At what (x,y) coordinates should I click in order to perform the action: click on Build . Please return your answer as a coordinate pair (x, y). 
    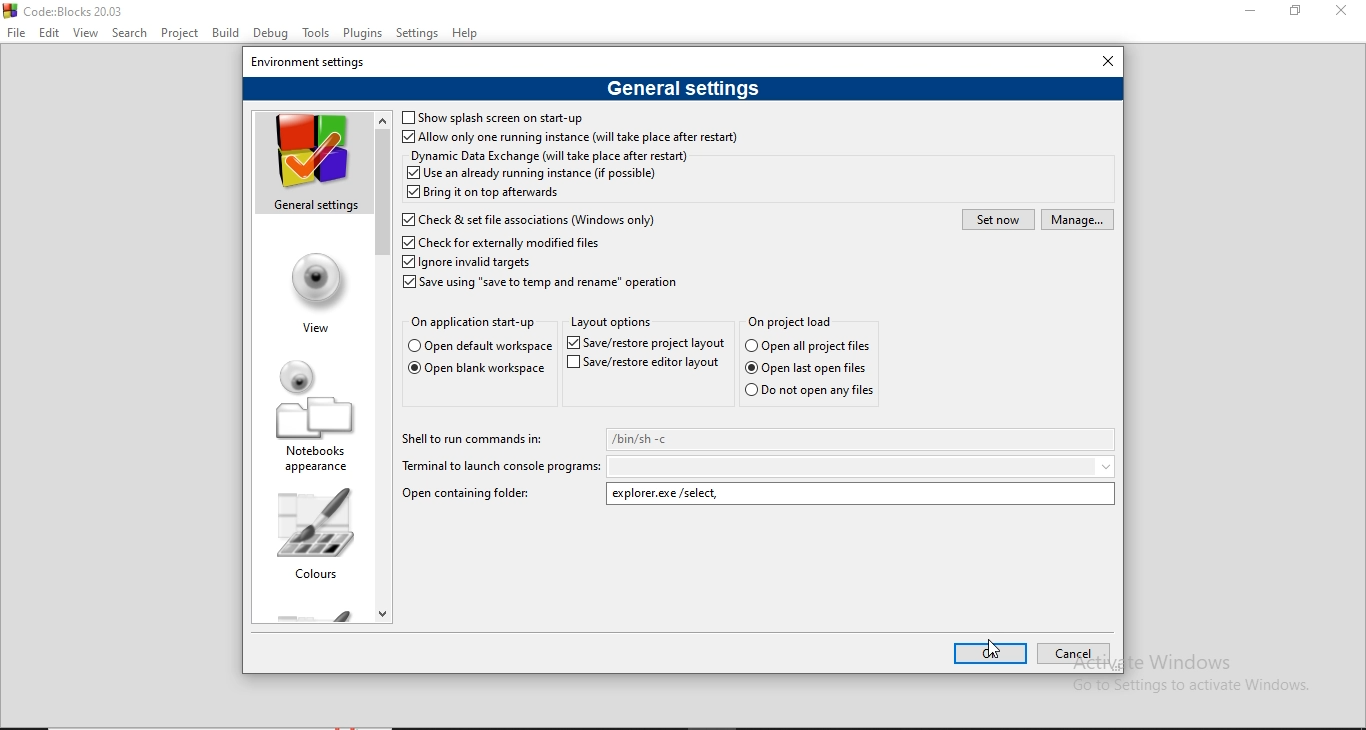
    Looking at the image, I should click on (227, 31).